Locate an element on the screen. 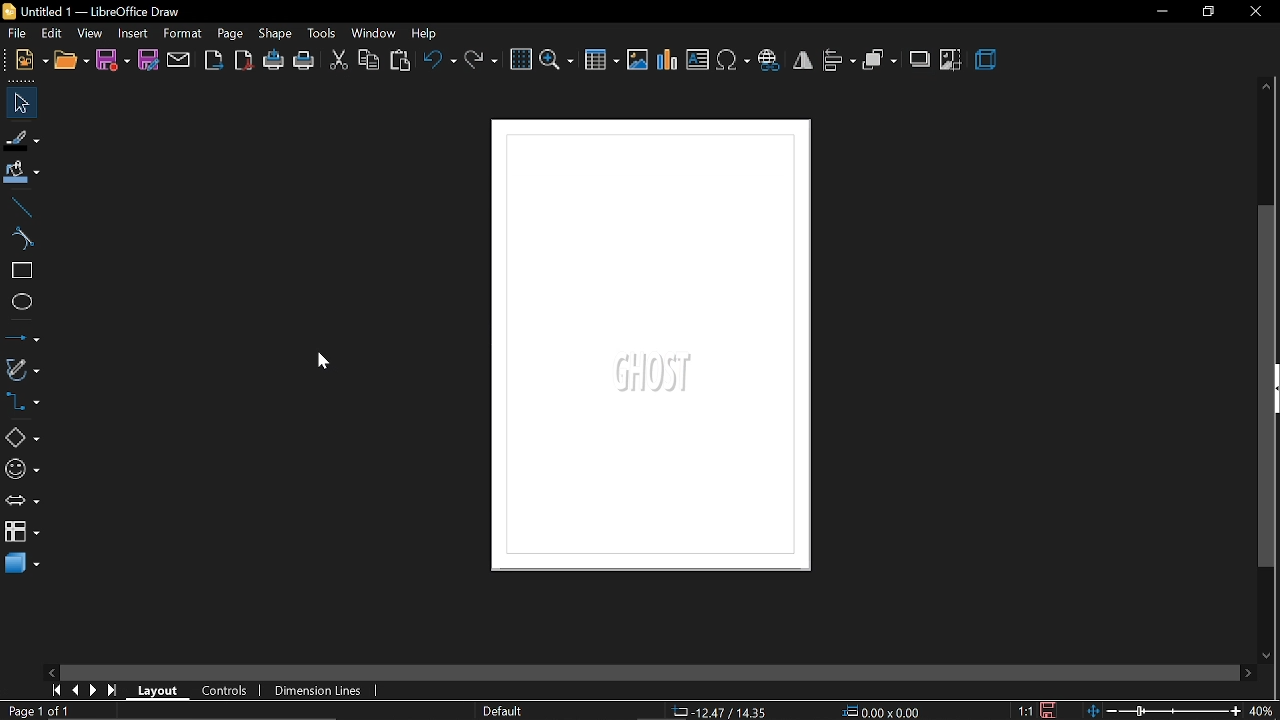  Default is located at coordinates (503, 712).